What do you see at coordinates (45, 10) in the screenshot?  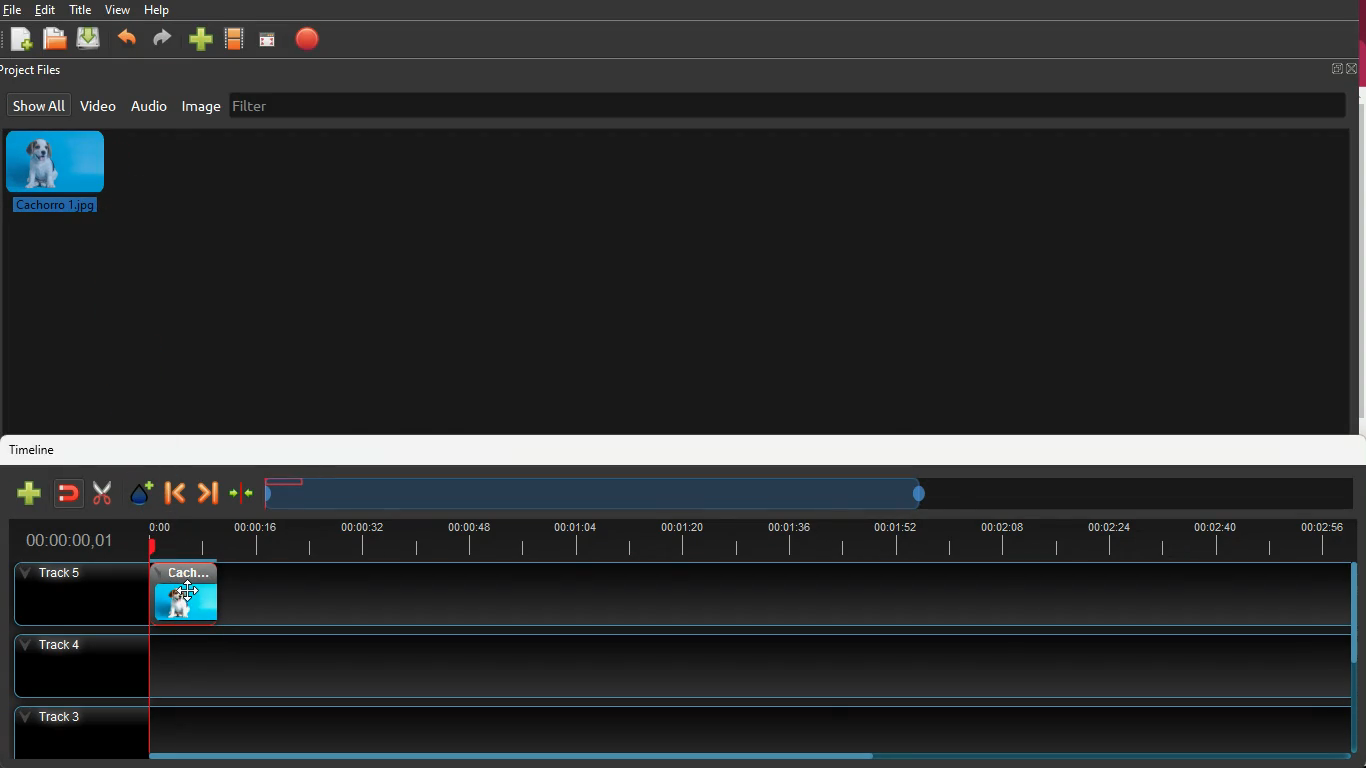 I see `edit` at bounding box center [45, 10].